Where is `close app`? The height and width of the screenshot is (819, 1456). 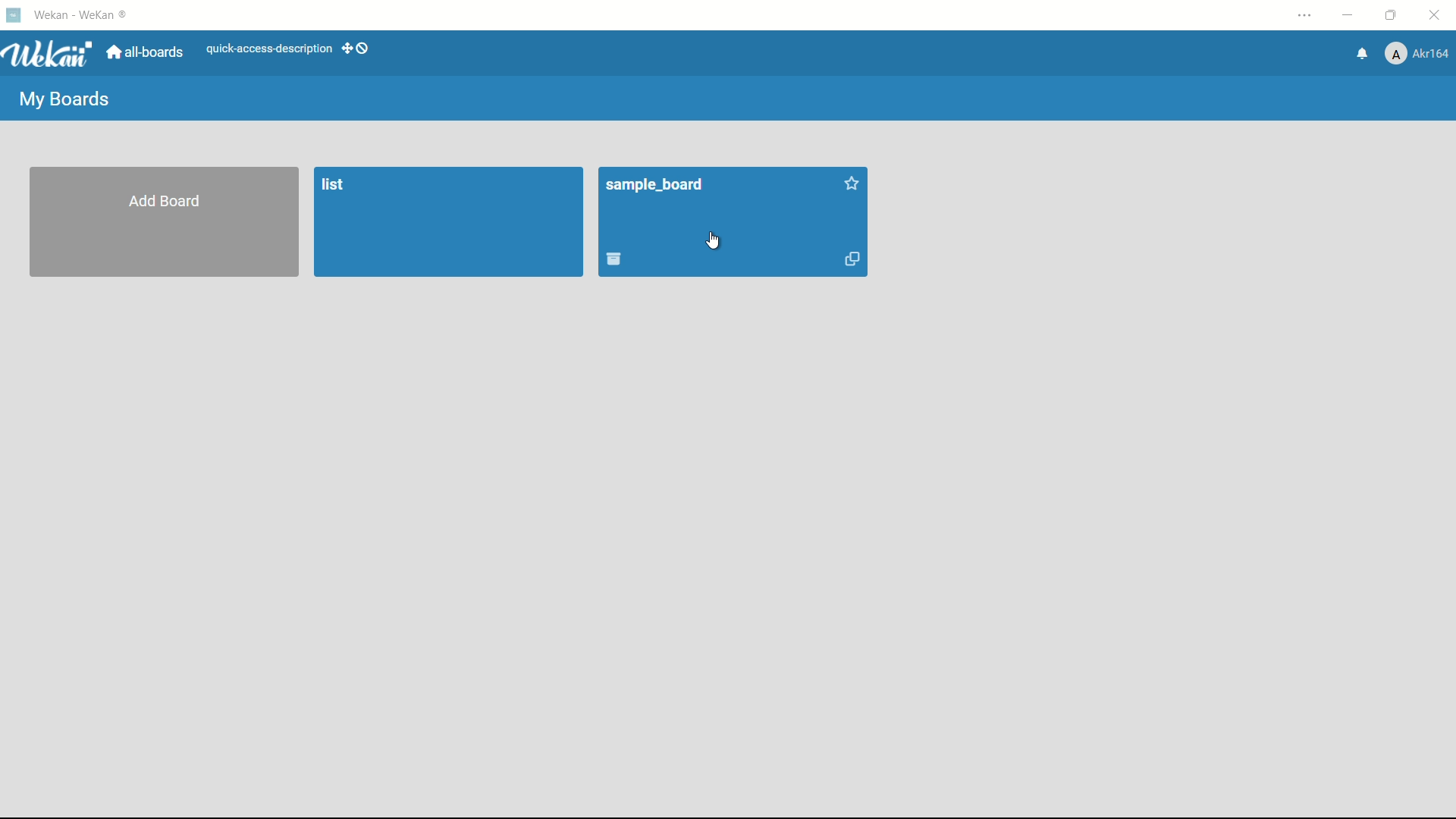 close app is located at coordinates (1436, 15).